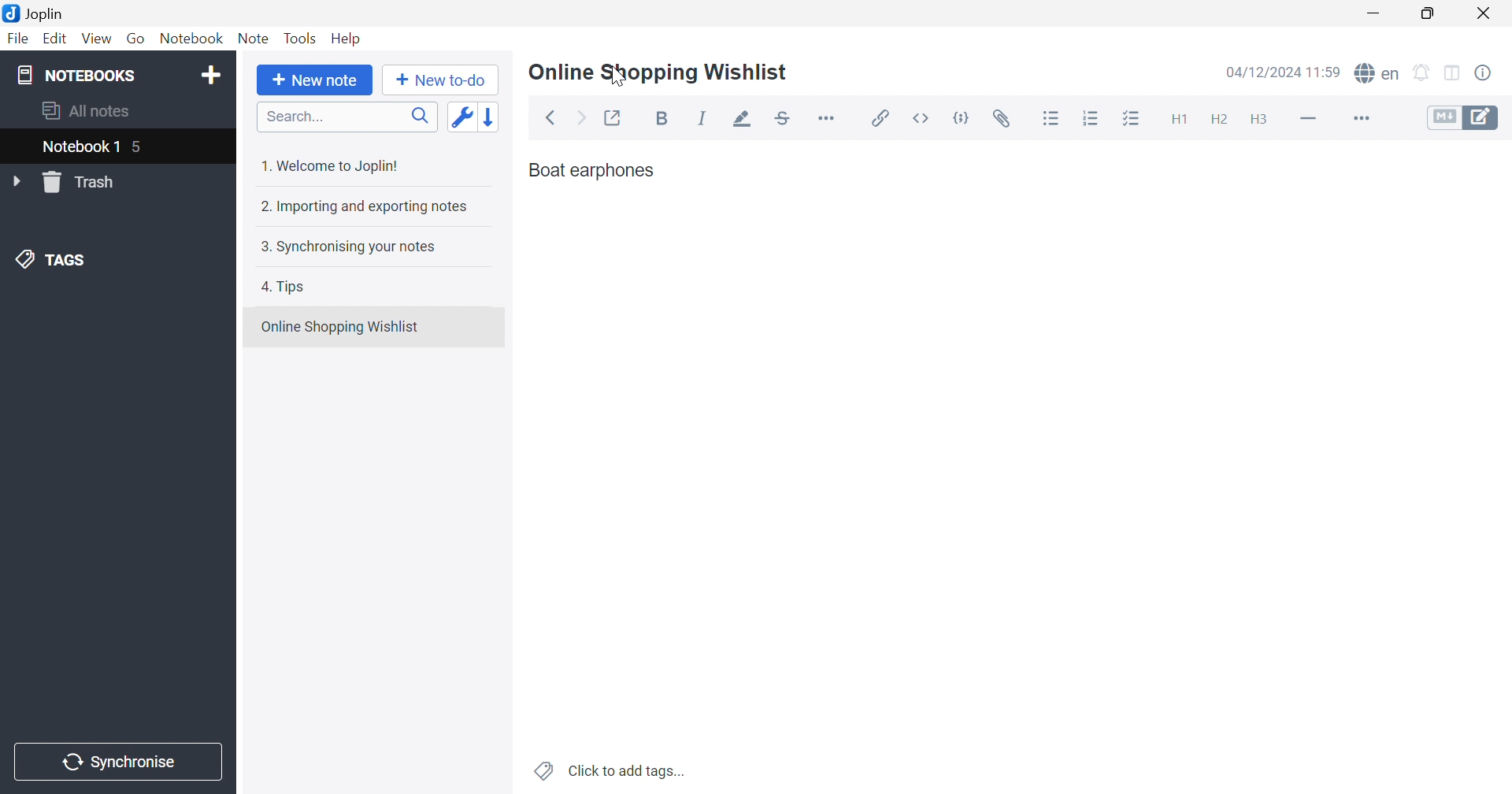 The height and width of the screenshot is (794, 1512). Describe the element at coordinates (1374, 13) in the screenshot. I see `Minimize` at that location.